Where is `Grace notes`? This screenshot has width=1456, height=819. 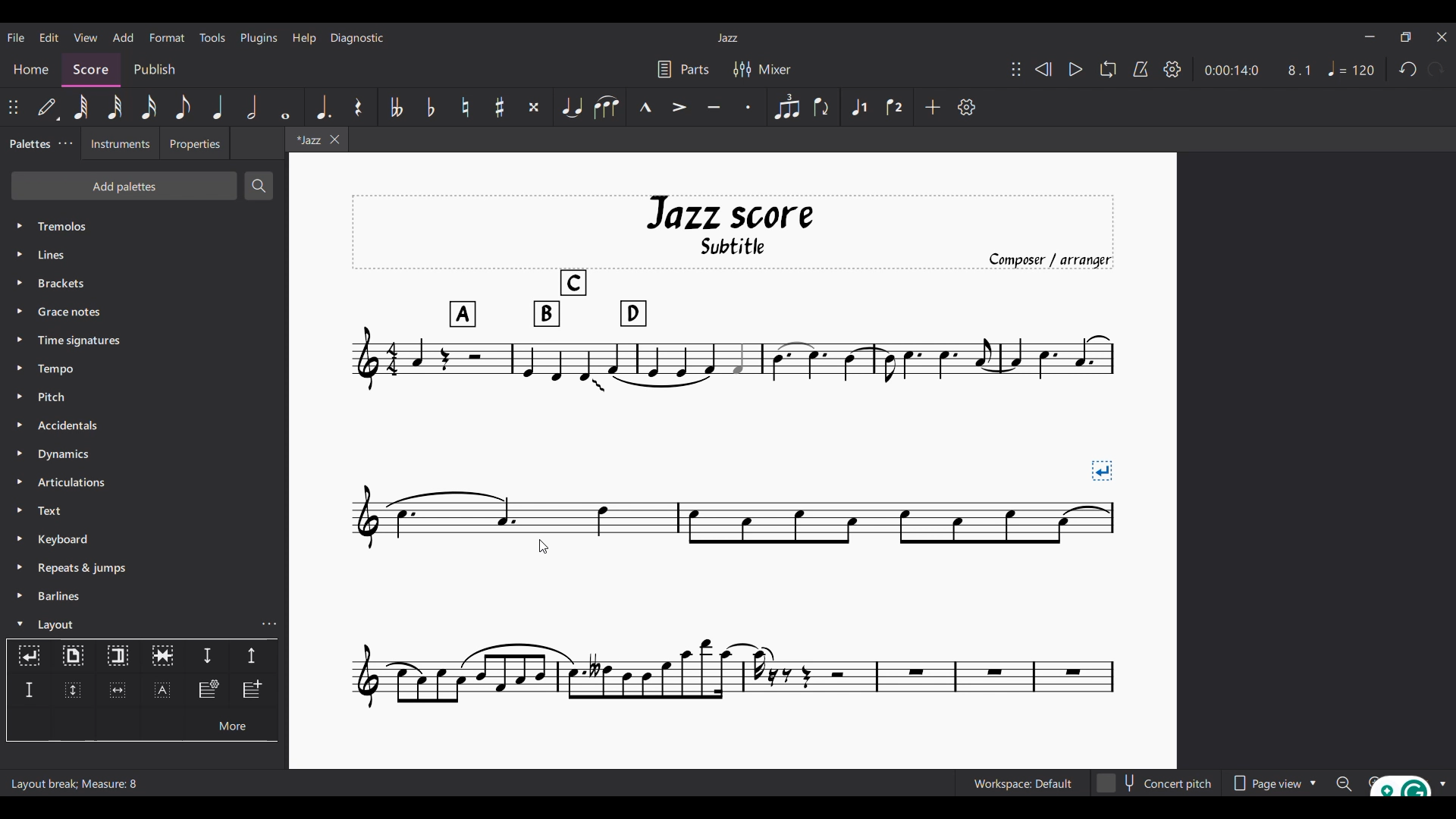 Grace notes is located at coordinates (144, 312).